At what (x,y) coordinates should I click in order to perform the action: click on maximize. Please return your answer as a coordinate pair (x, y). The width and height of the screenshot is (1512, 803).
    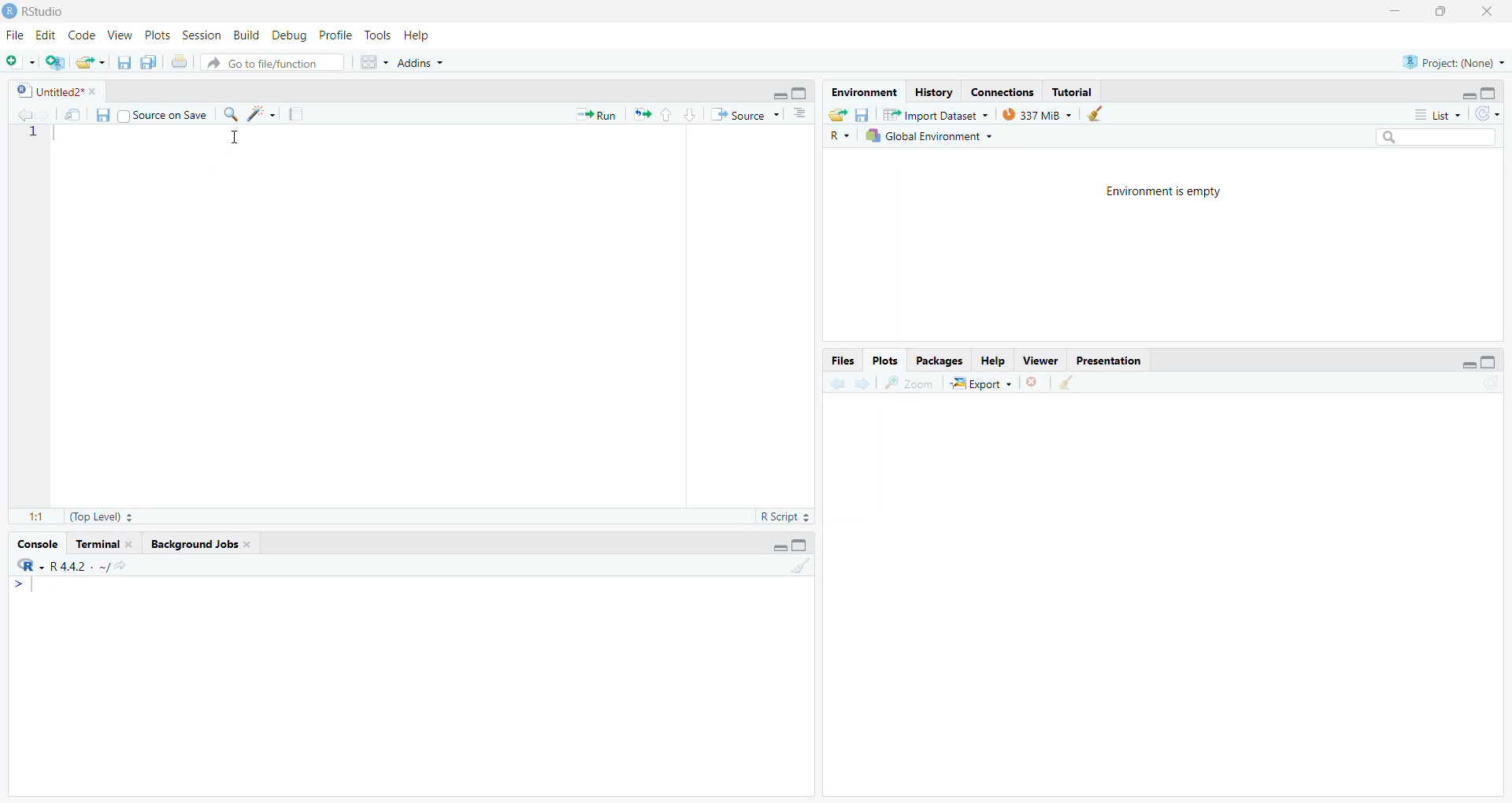
    Looking at the image, I should click on (1442, 11).